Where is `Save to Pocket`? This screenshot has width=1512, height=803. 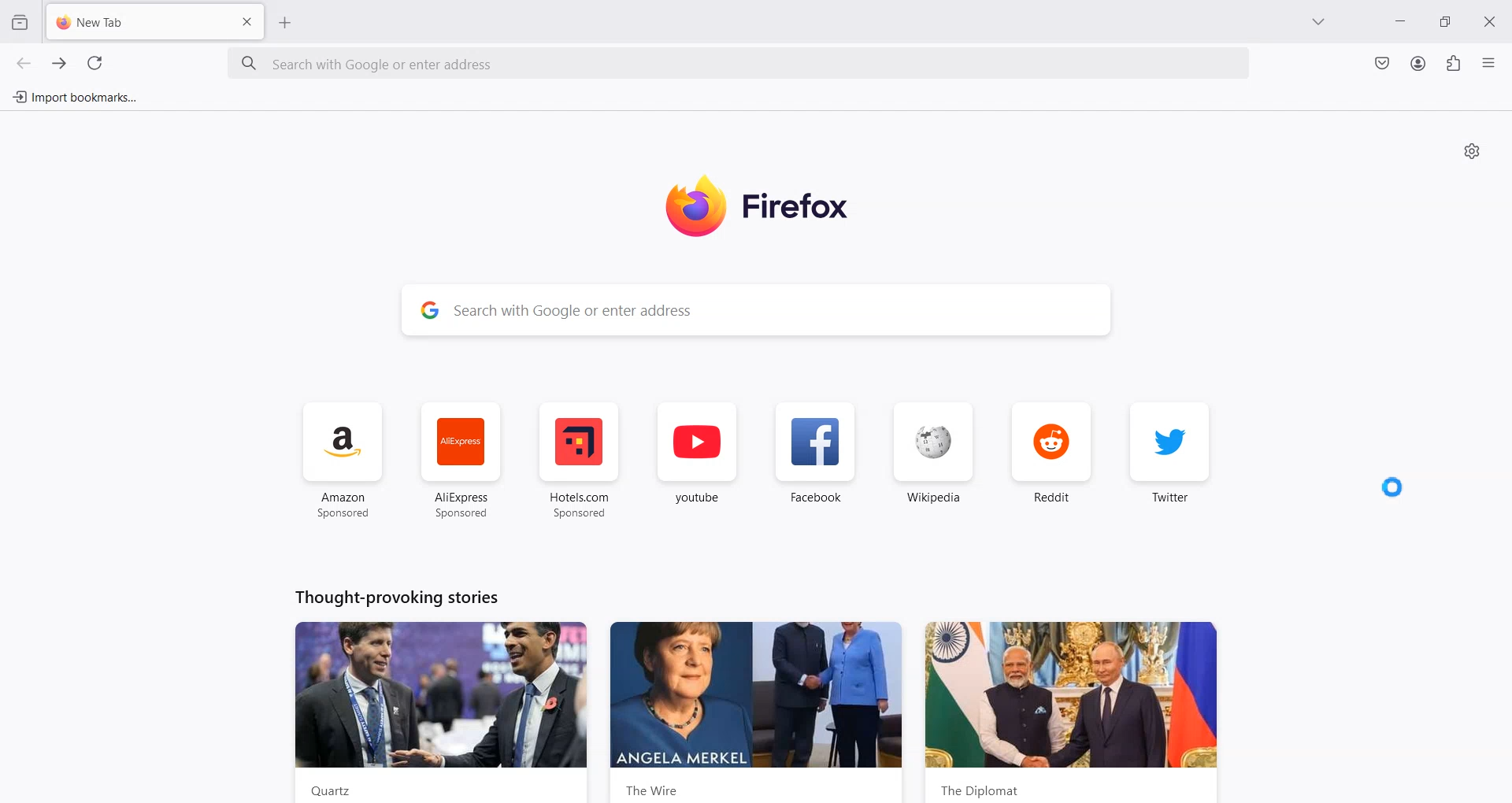
Save to Pocket is located at coordinates (1380, 63).